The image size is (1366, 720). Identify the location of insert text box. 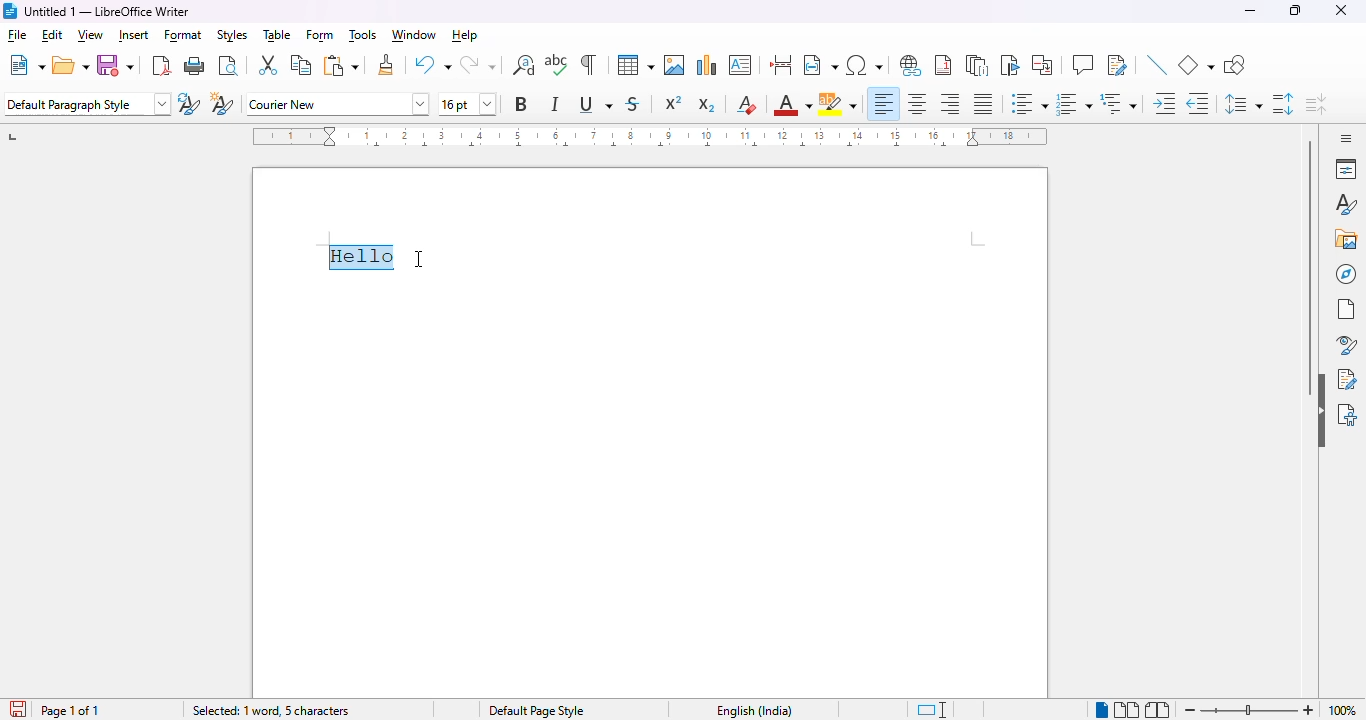
(740, 65).